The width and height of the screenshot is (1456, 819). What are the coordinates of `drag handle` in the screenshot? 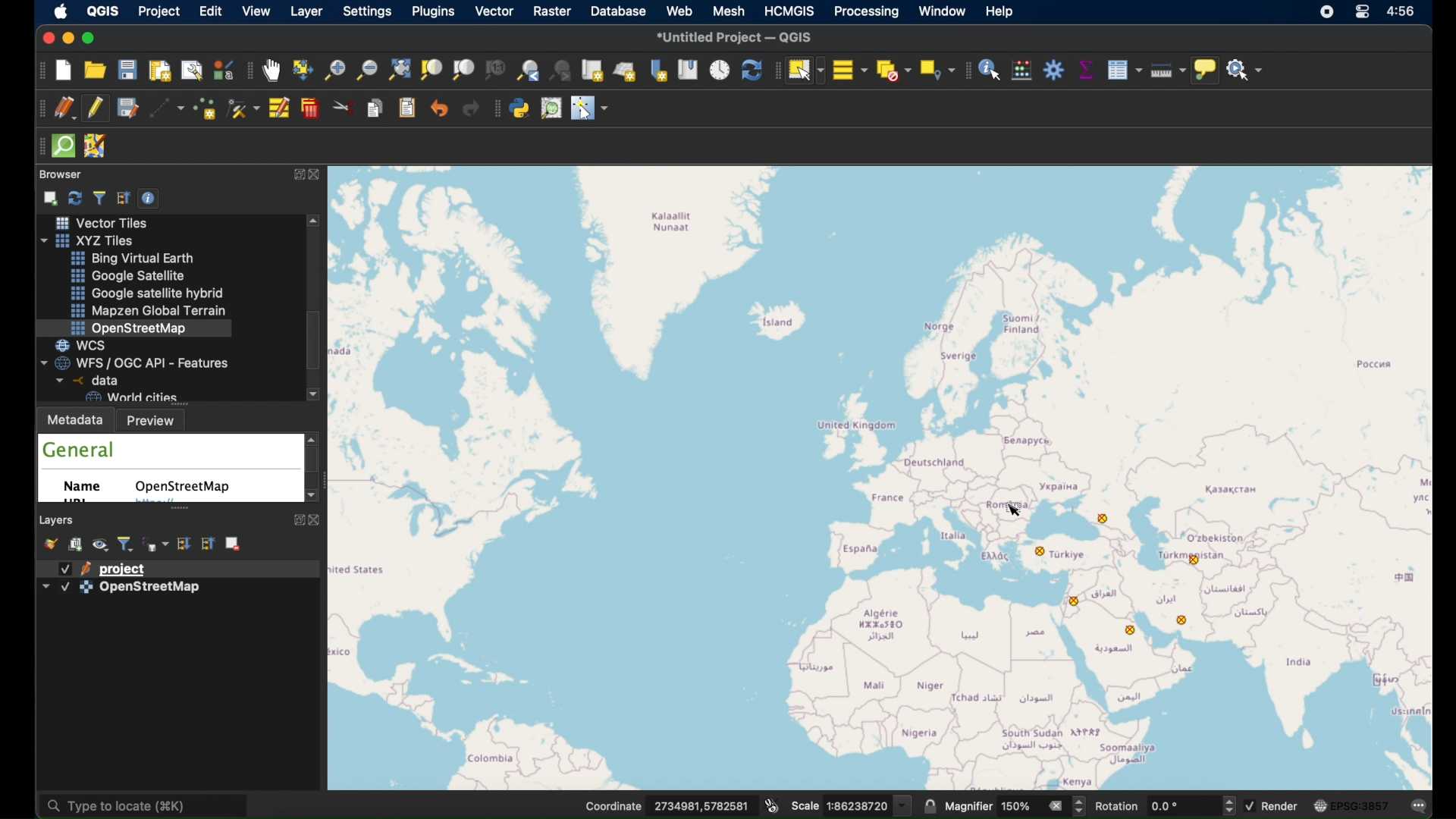 It's located at (775, 70).